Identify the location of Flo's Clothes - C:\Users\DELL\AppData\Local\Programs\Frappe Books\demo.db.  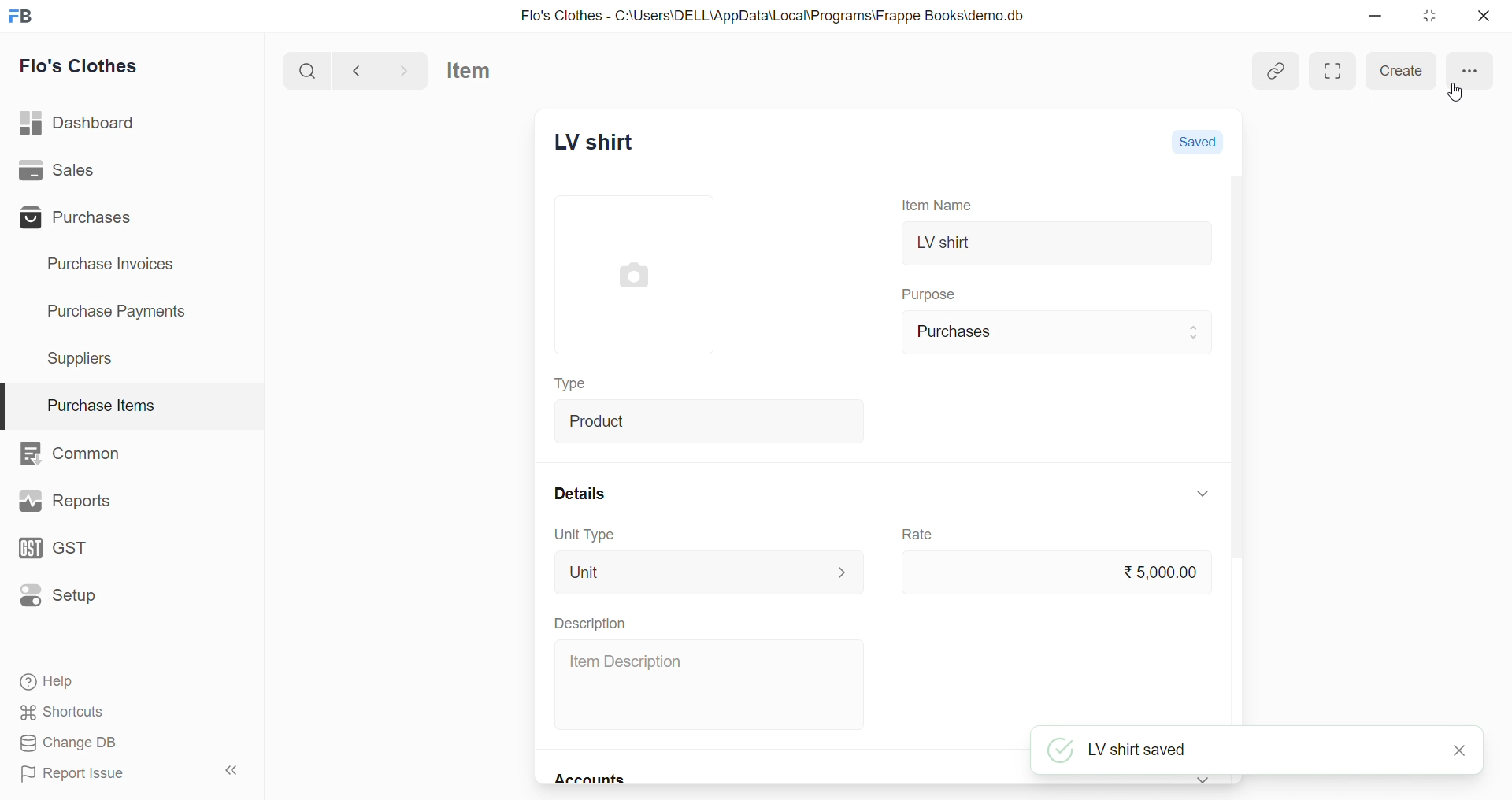
(773, 14).